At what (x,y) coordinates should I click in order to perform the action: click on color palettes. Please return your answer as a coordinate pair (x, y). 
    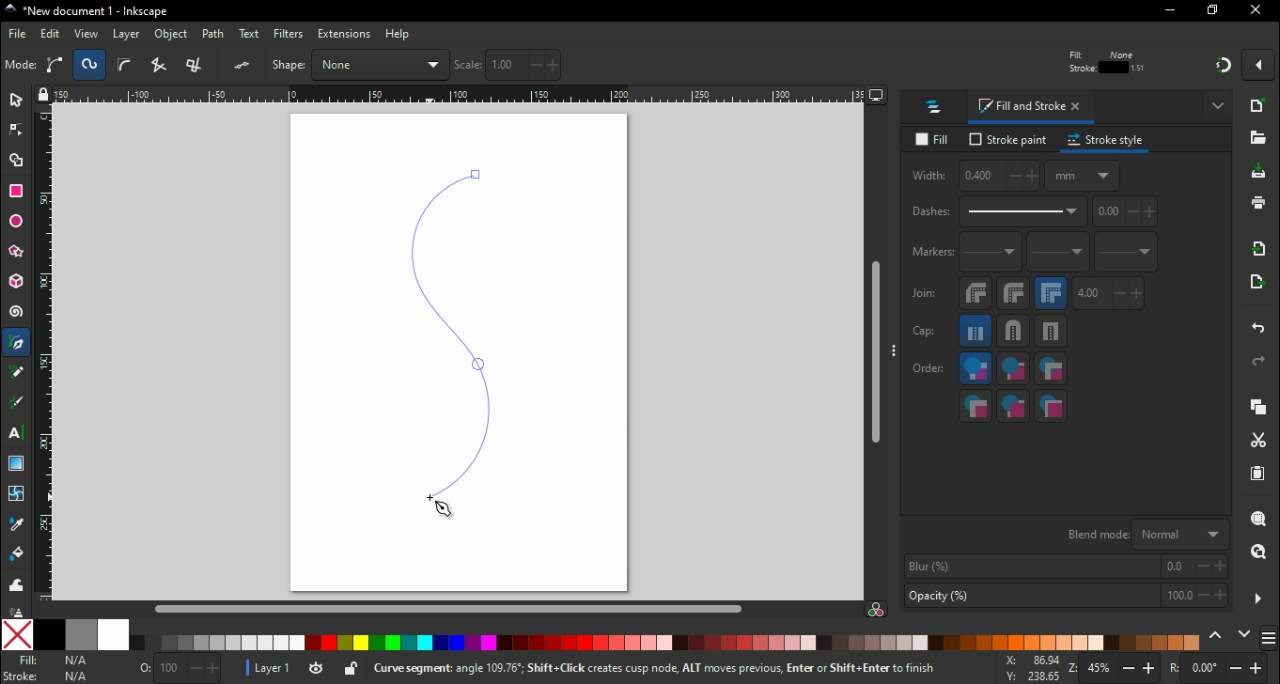
    Looking at the image, I should click on (1270, 636).